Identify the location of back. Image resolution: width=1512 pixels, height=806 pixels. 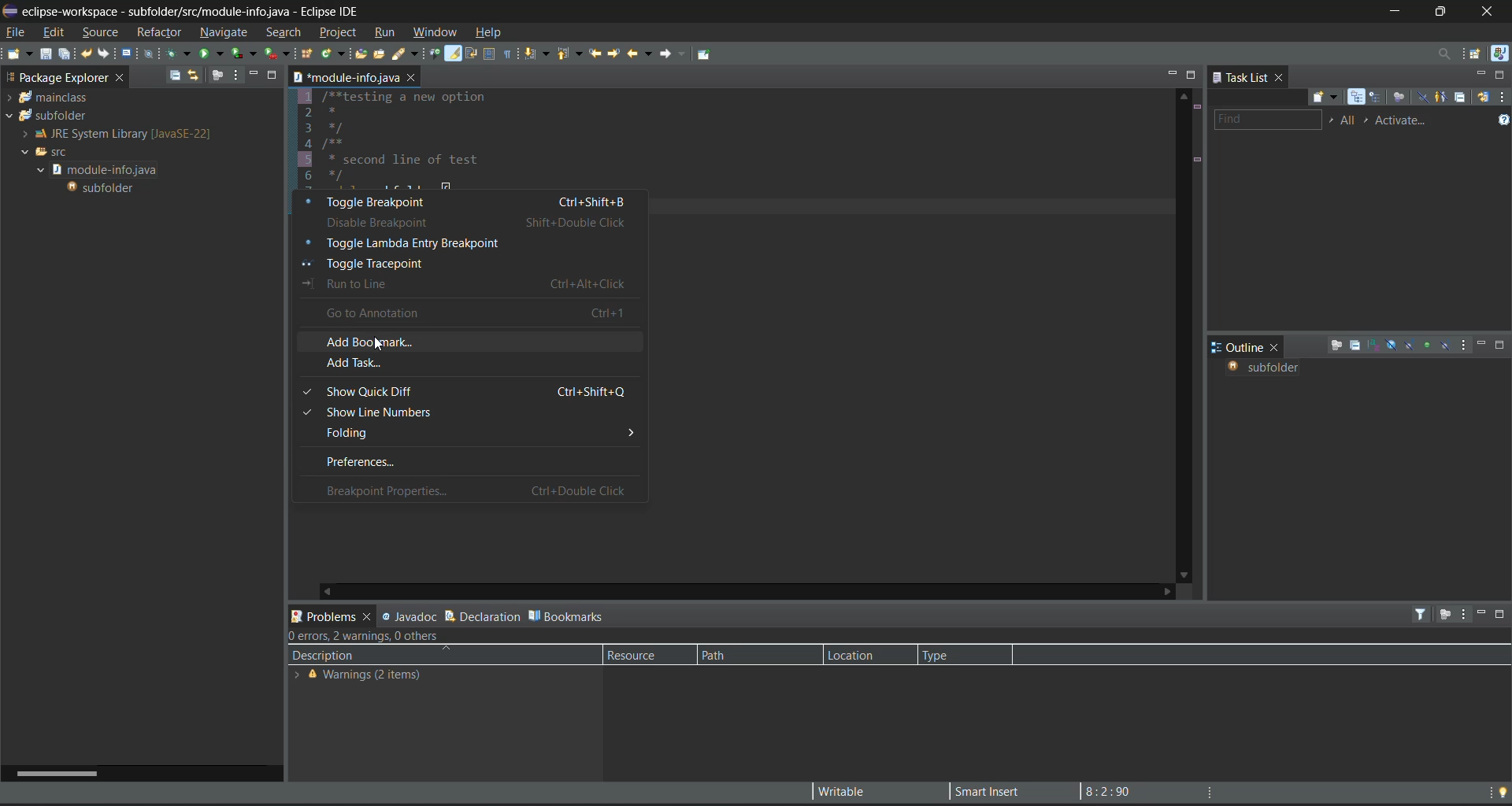
(636, 53).